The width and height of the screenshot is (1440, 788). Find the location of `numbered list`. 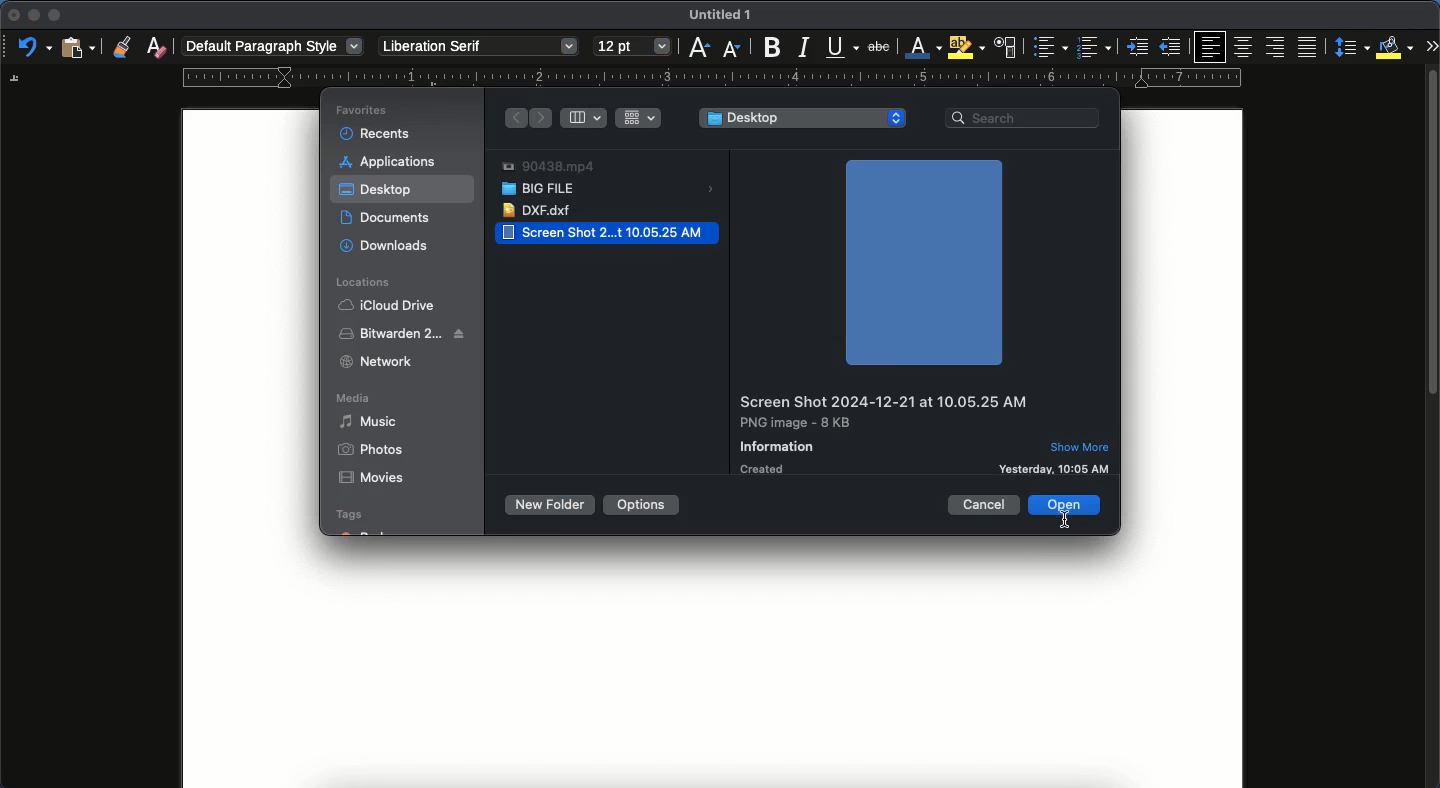

numbered list is located at coordinates (1093, 49).